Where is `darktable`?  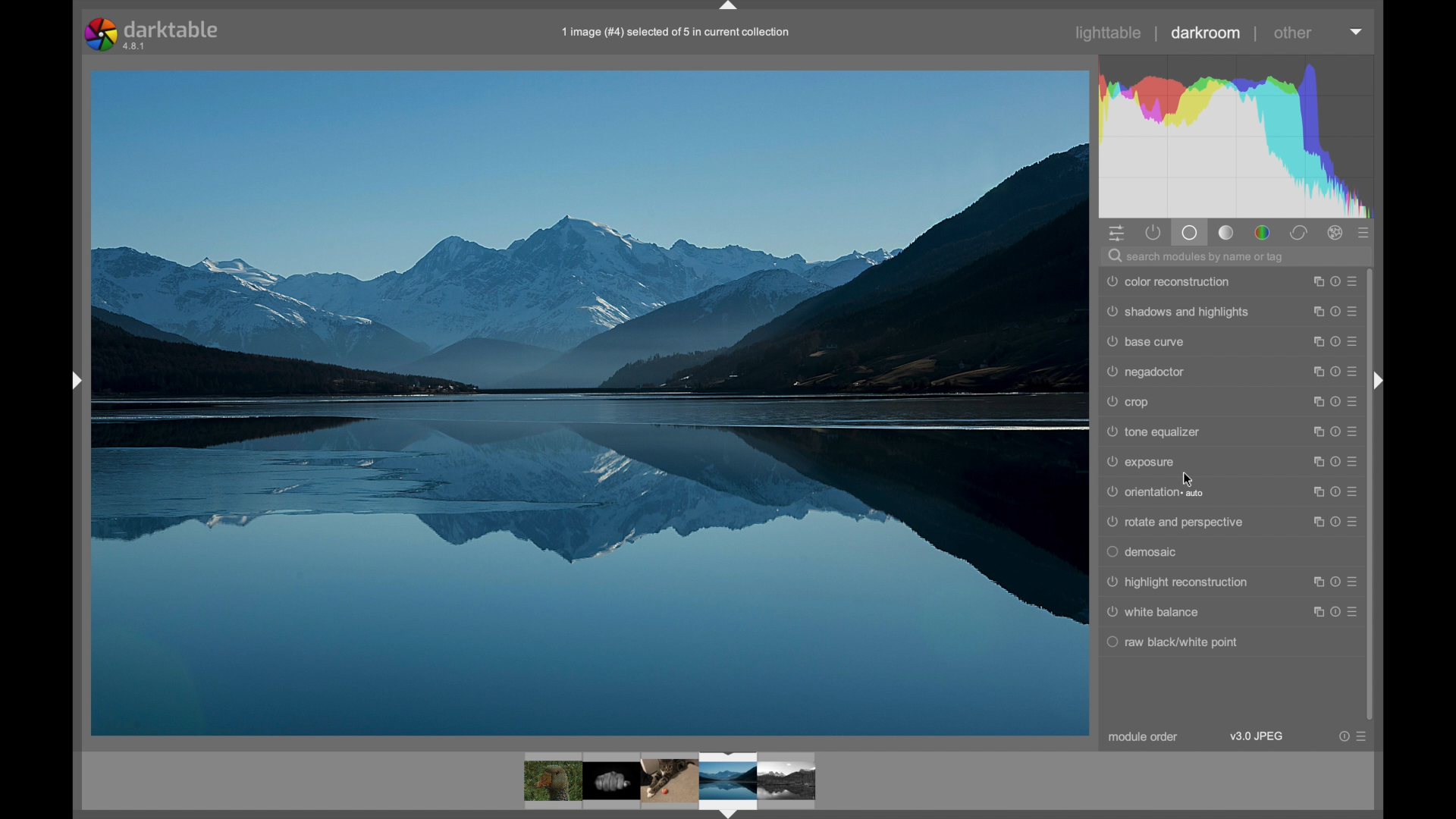
darktable is located at coordinates (156, 33).